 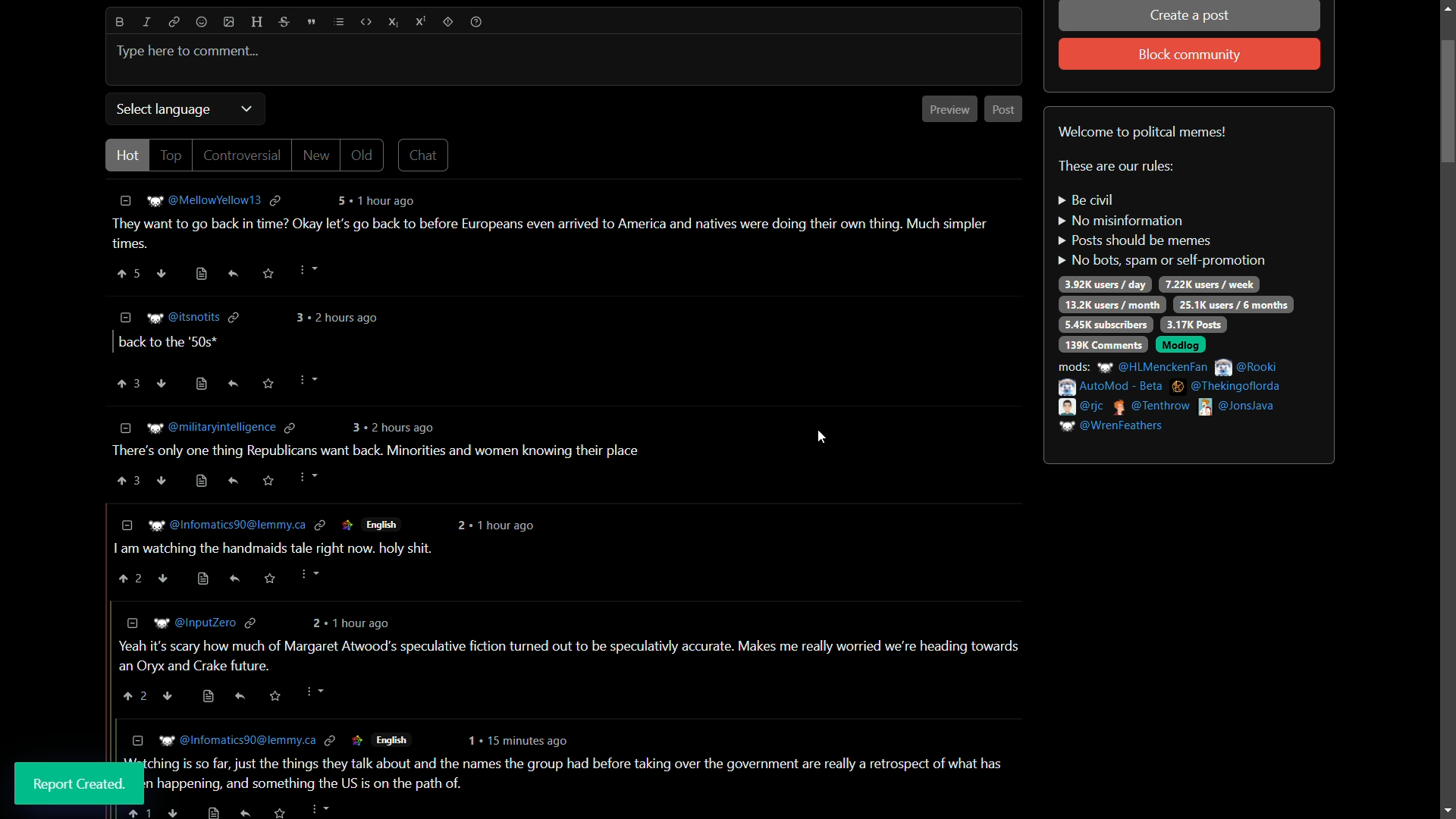 I want to click on cursor, so click(x=822, y=439).